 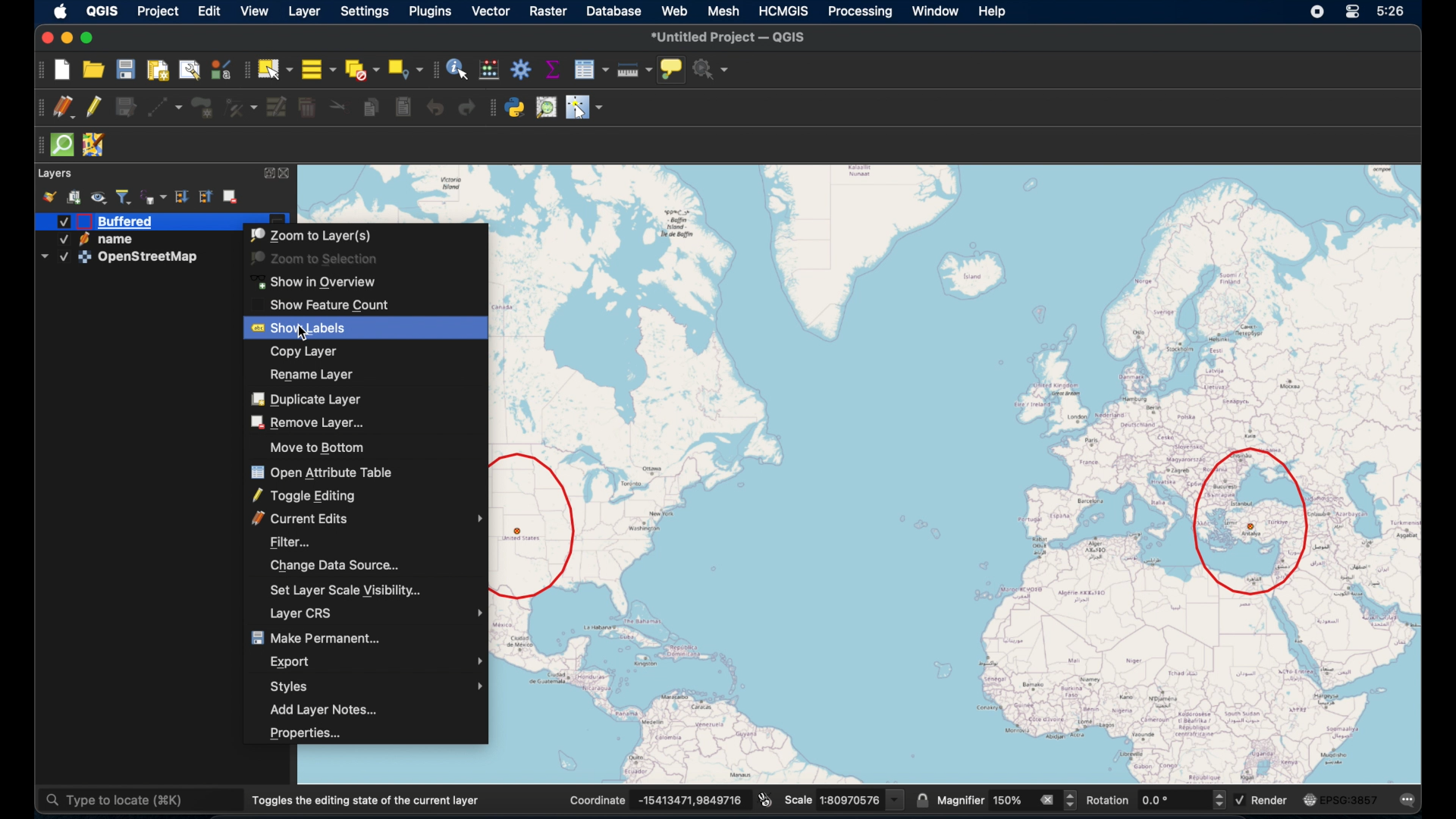 What do you see at coordinates (304, 328) in the screenshot?
I see `show labels` at bounding box center [304, 328].